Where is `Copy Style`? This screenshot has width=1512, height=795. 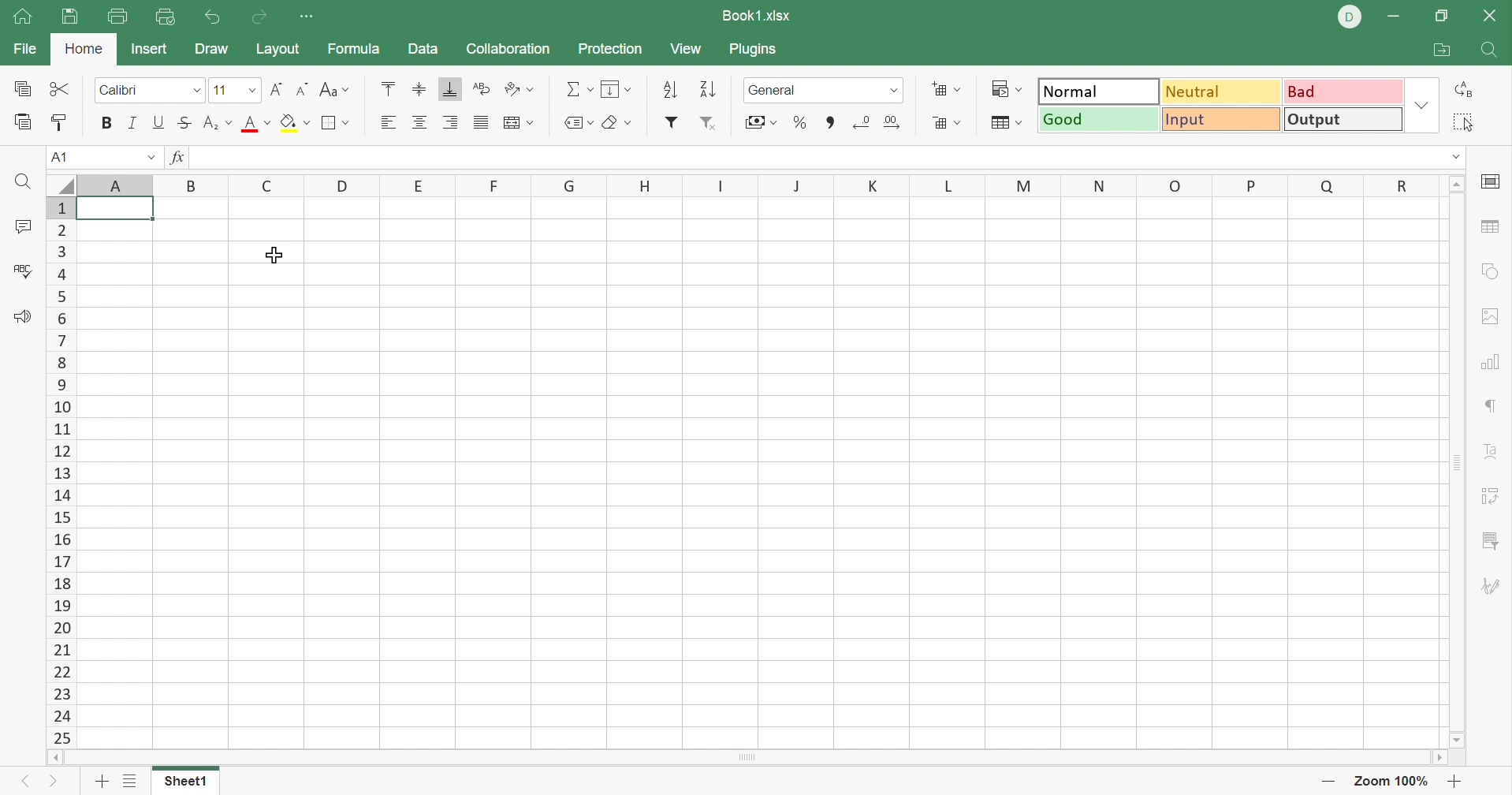
Copy Style is located at coordinates (60, 123).